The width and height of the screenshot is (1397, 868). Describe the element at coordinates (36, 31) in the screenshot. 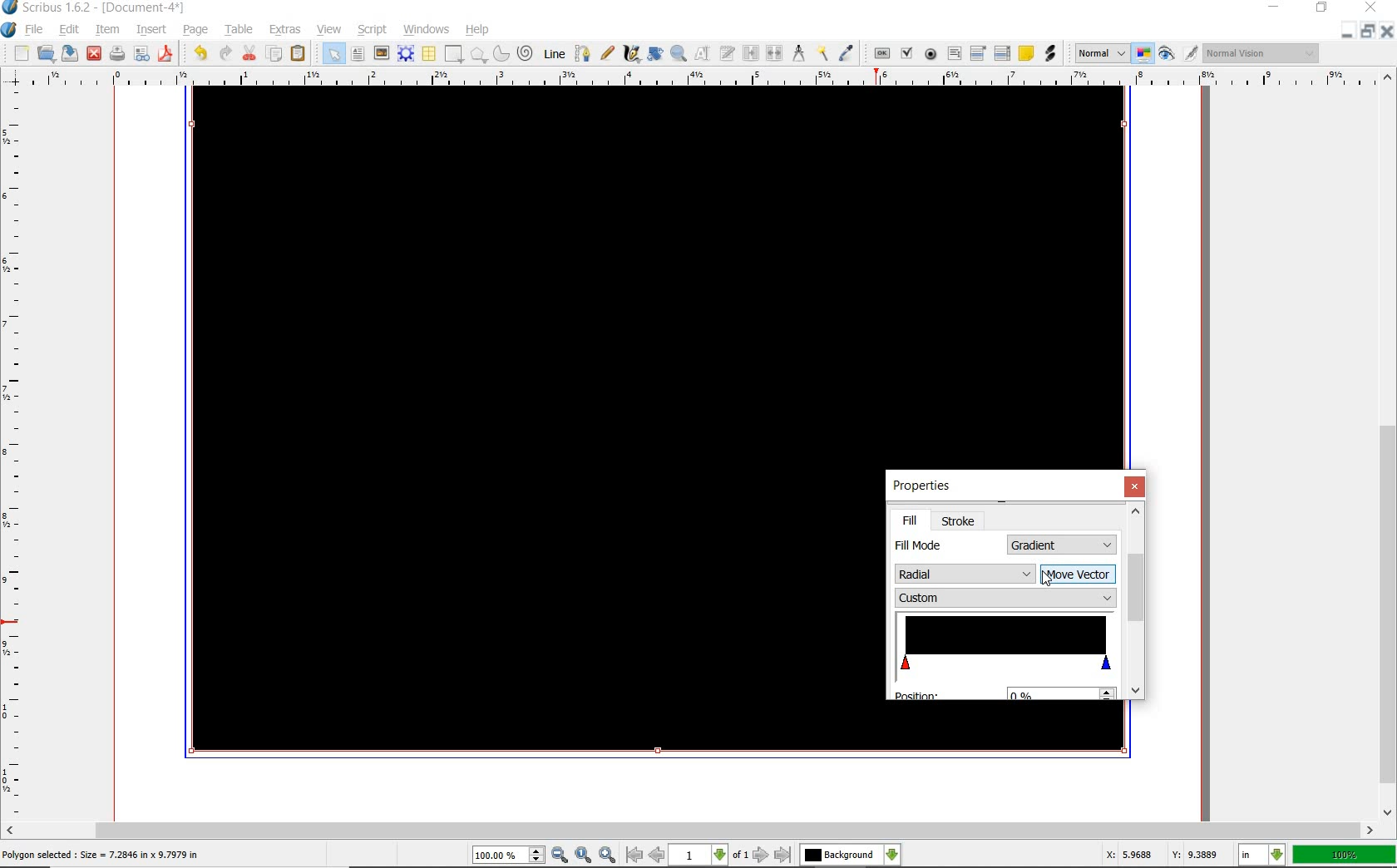

I see `file` at that location.